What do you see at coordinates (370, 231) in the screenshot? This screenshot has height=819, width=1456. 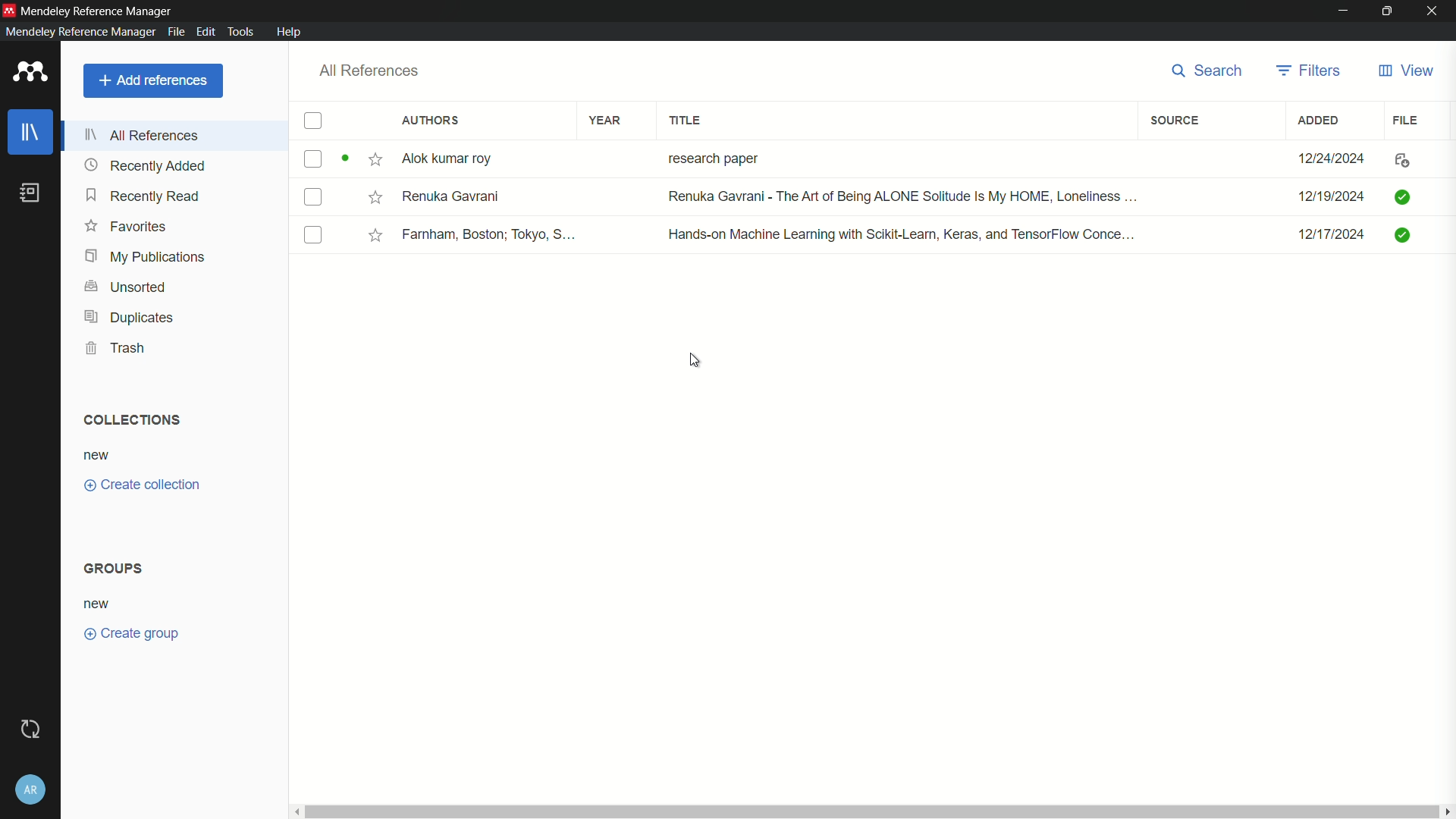 I see `` at bounding box center [370, 231].